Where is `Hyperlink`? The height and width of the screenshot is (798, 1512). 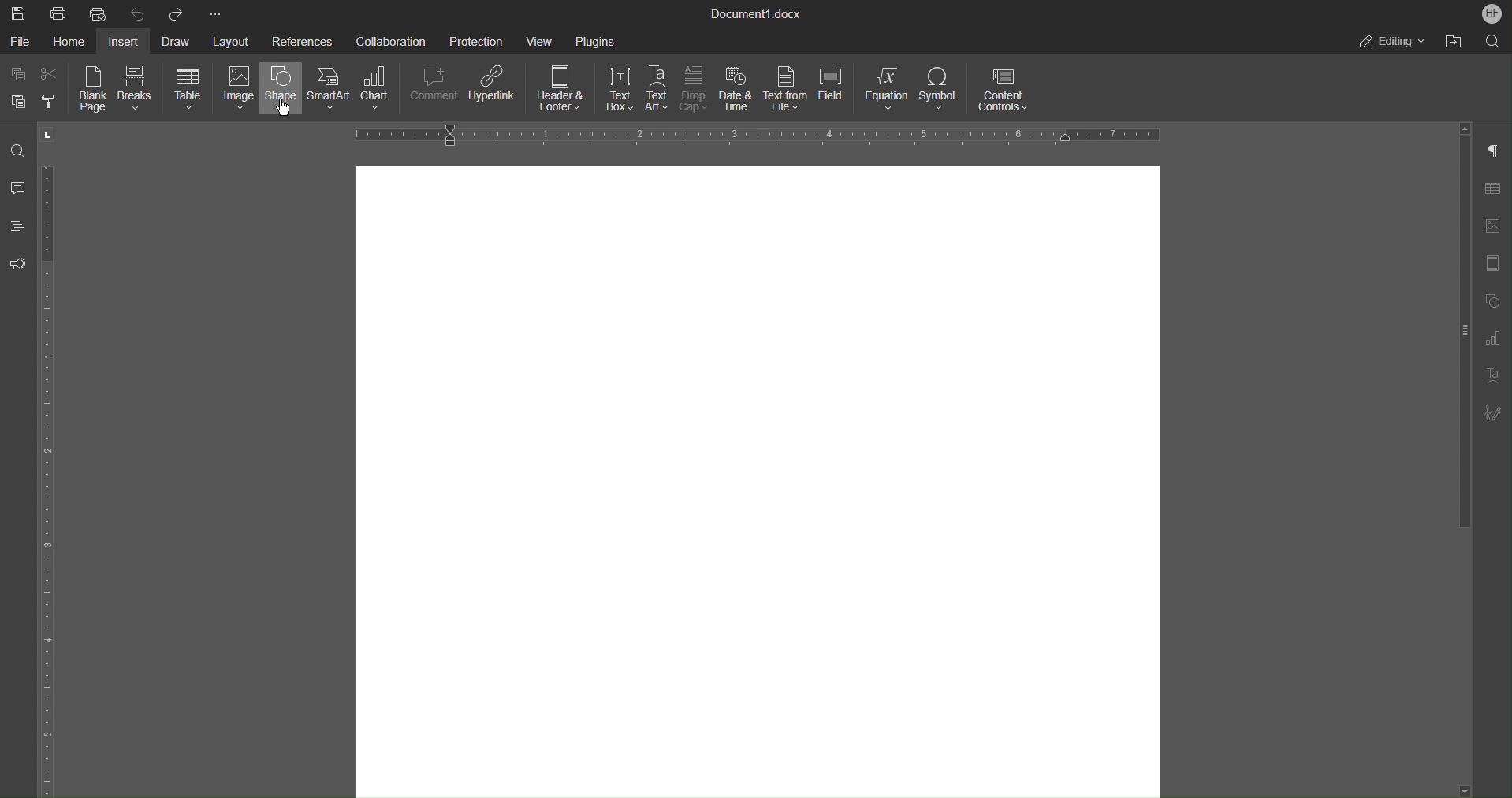
Hyperlink is located at coordinates (495, 91).